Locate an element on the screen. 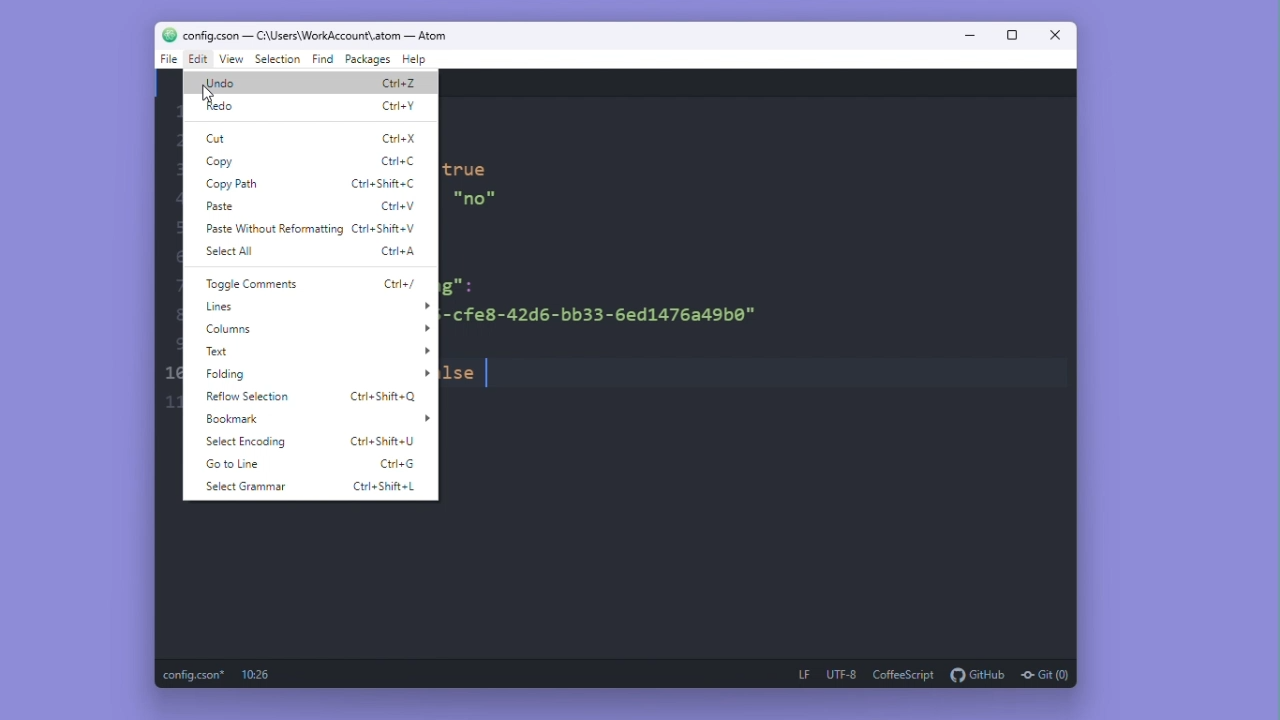 The image size is (1280, 720). folding is located at coordinates (311, 373).